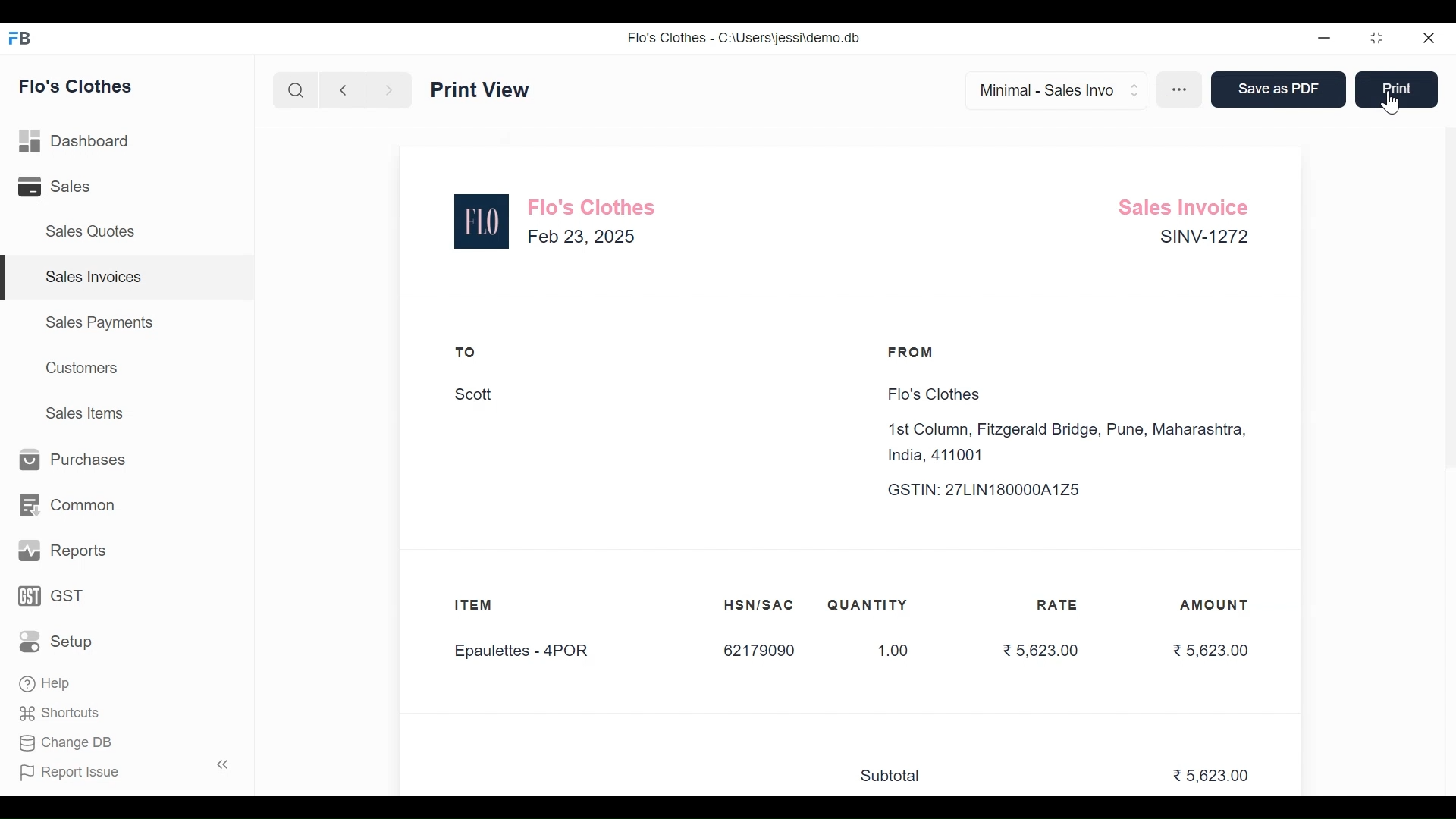 This screenshot has height=819, width=1456. I want to click on Restore, so click(1379, 39).